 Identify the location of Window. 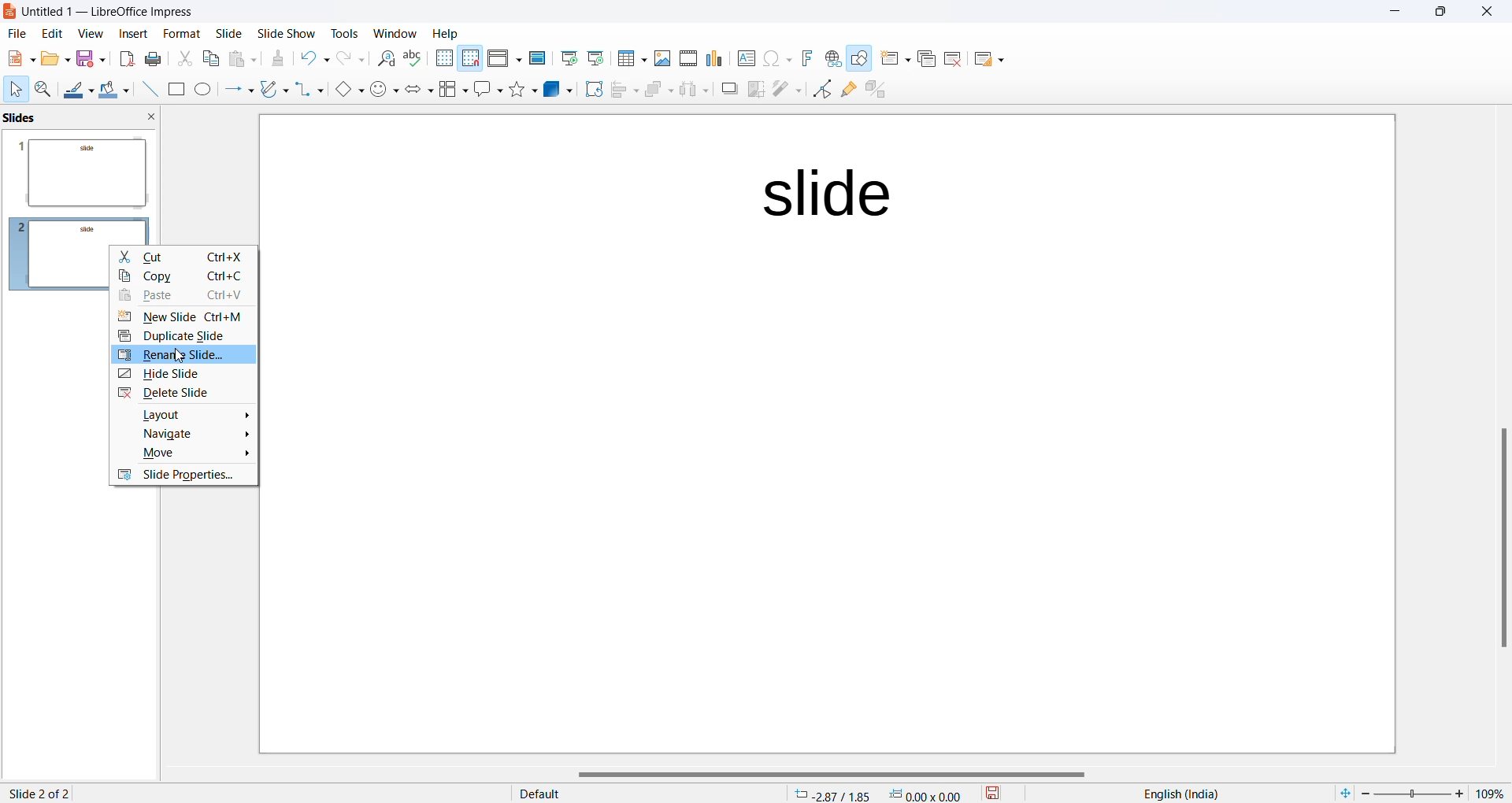
(391, 31).